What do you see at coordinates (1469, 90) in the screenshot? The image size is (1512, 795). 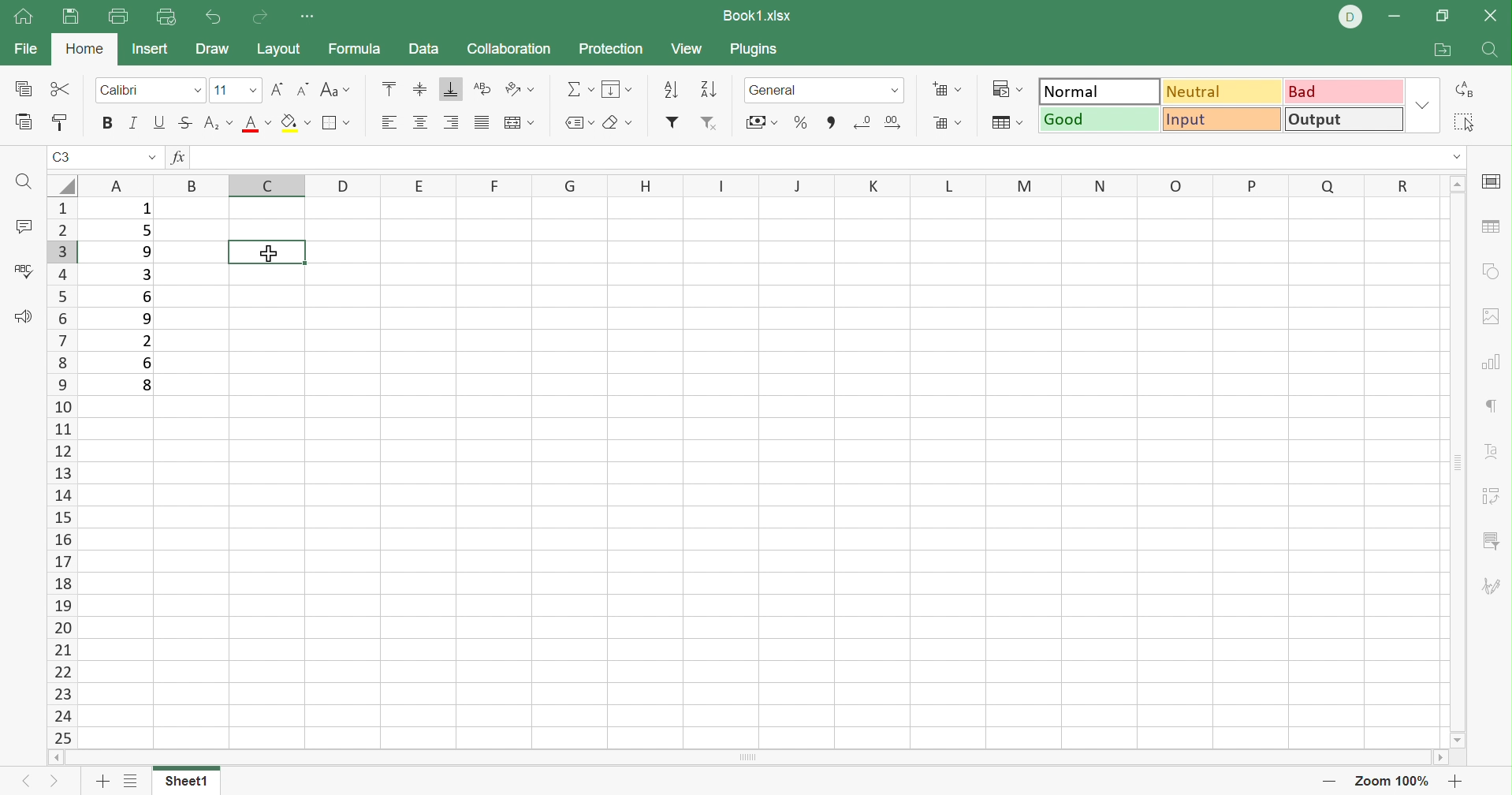 I see `Replace` at bounding box center [1469, 90].